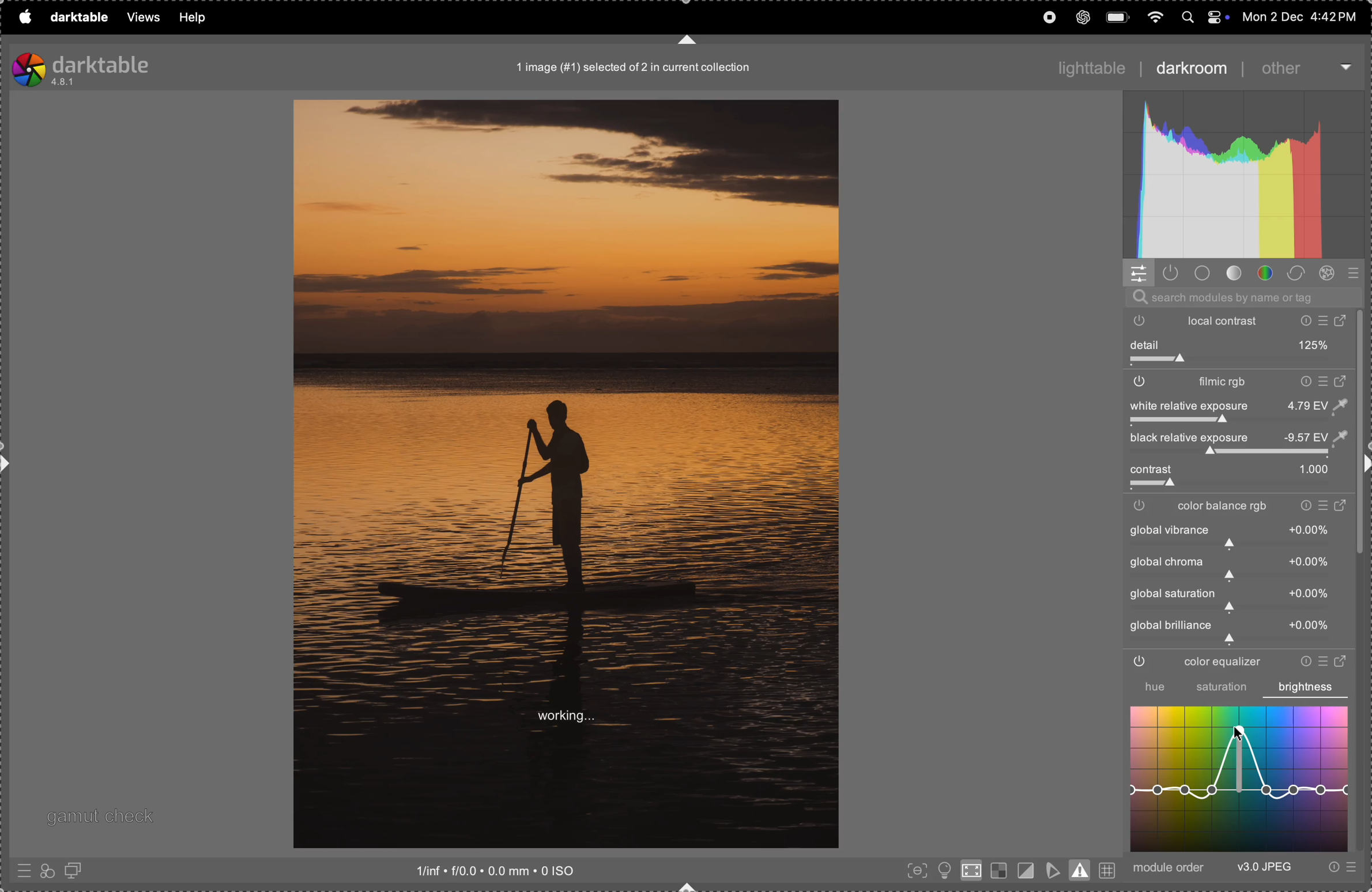  Describe the element at coordinates (1351, 274) in the screenshot. I see `all modules` at that location.